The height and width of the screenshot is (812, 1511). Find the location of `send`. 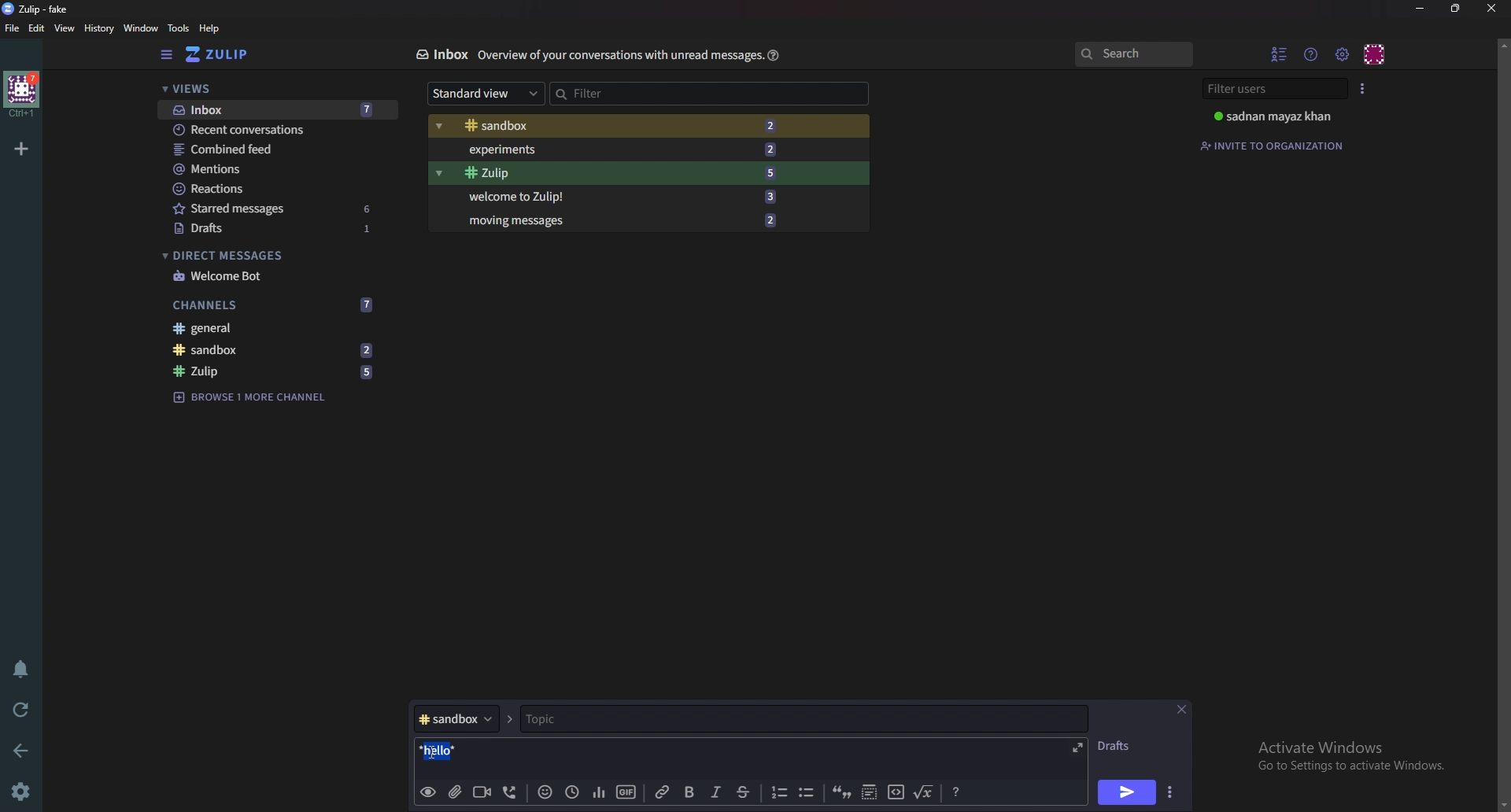

send is located at coordinates (1125, 793).